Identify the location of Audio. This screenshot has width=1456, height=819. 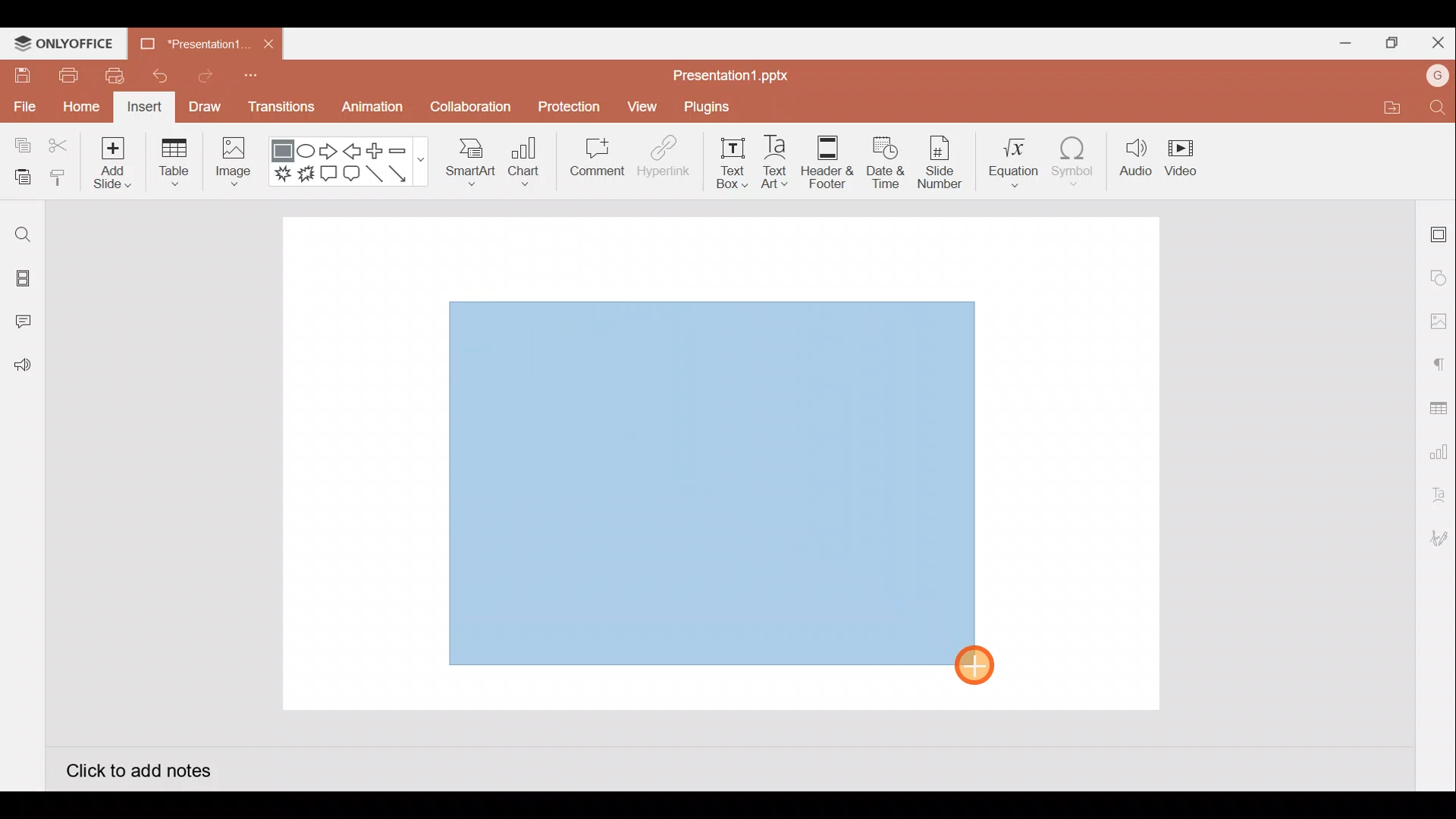
(1136, 158).